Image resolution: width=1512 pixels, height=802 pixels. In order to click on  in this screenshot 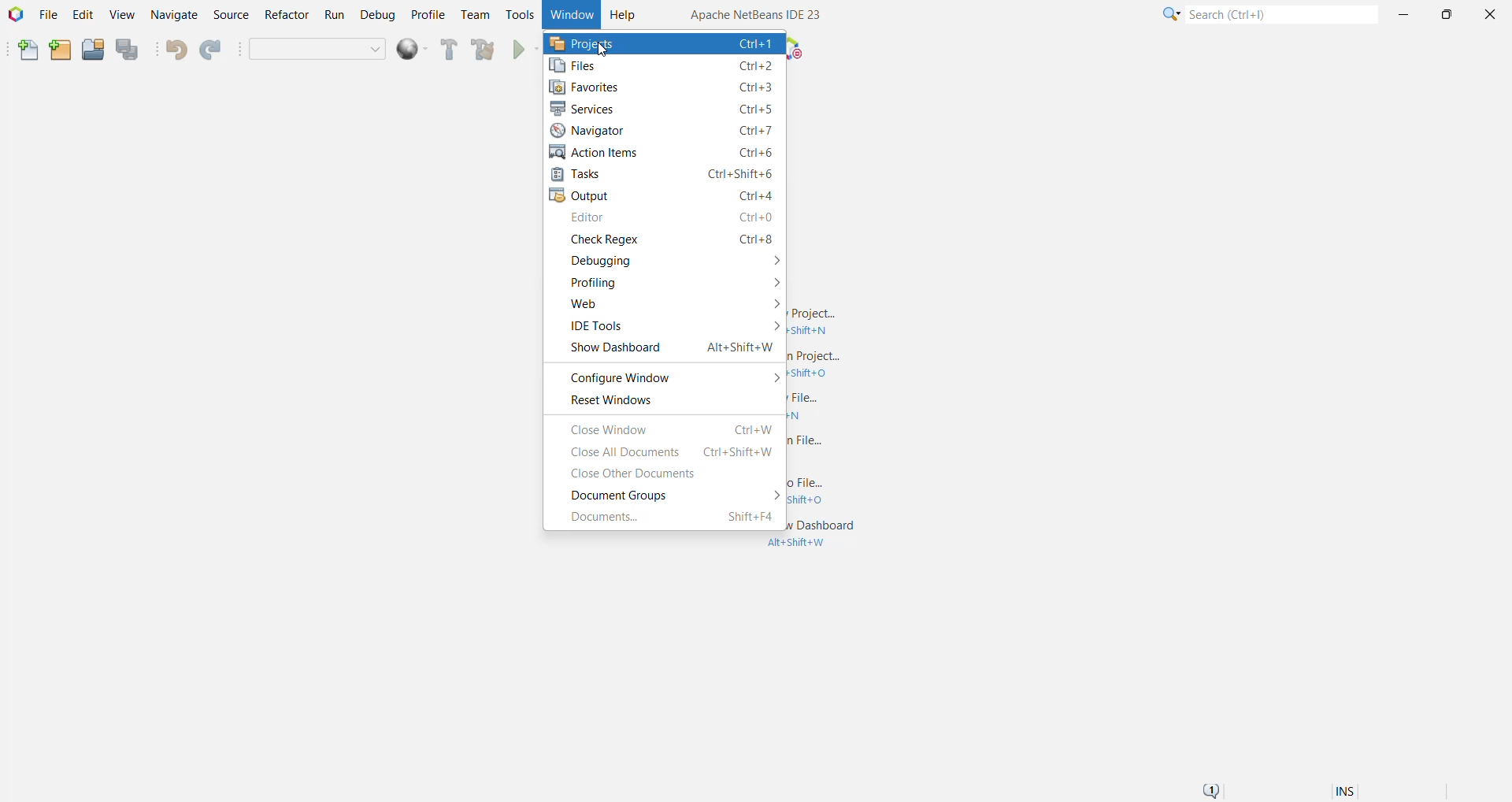, I will do `click(640, 473)`.